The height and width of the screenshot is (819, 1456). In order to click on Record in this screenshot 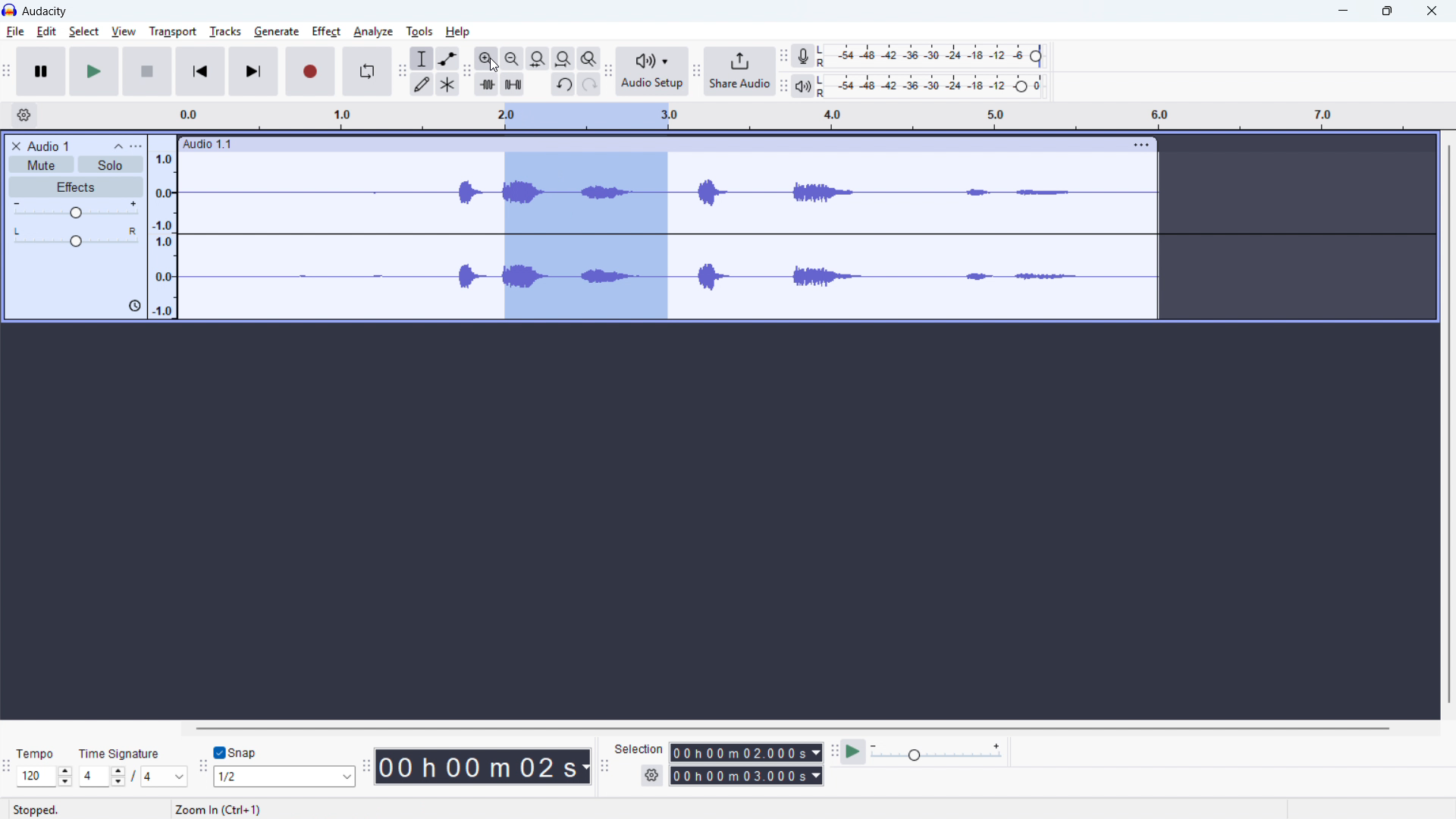, I will do `click(312, 72)`.